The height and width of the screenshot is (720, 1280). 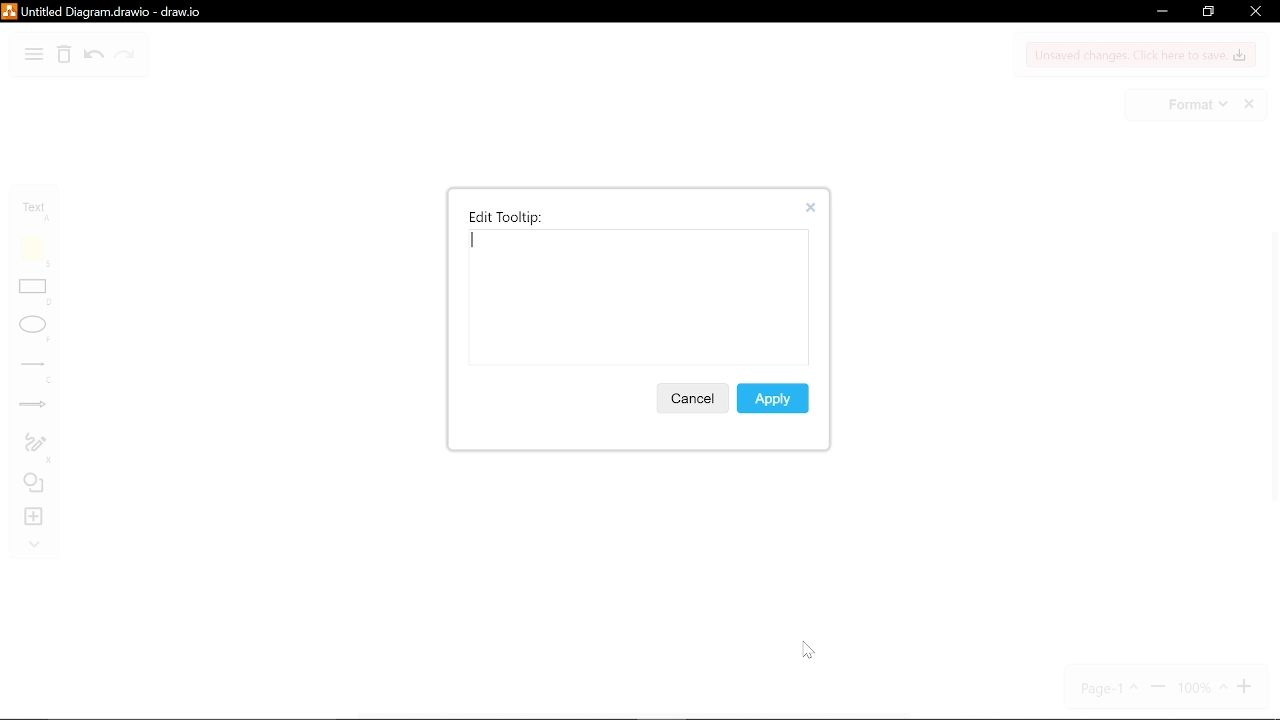 I want to click on close, so click(x=1251, y=105).